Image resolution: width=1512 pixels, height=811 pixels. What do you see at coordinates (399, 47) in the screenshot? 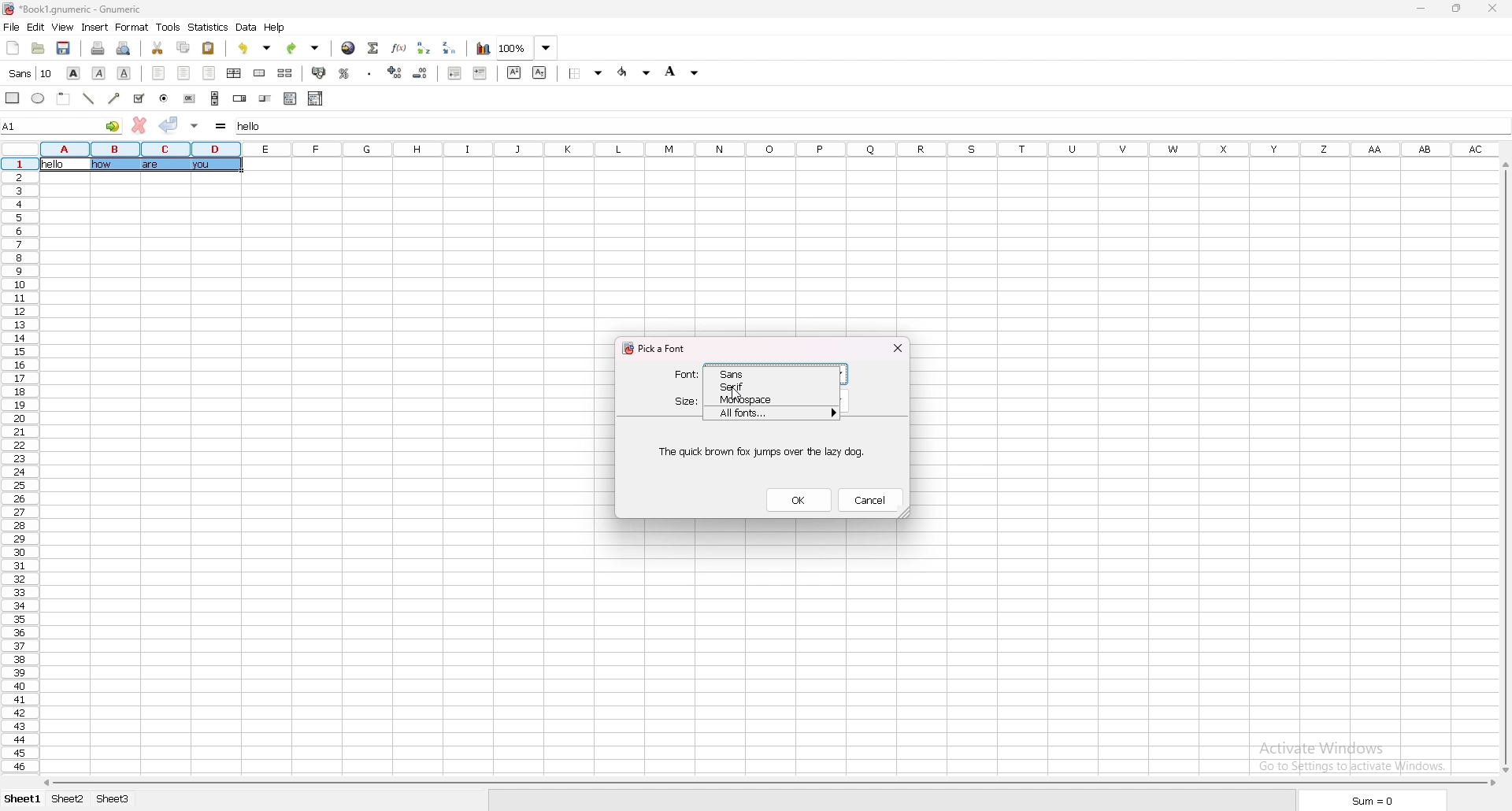
I see `functions` at bounding box center [399, 47].